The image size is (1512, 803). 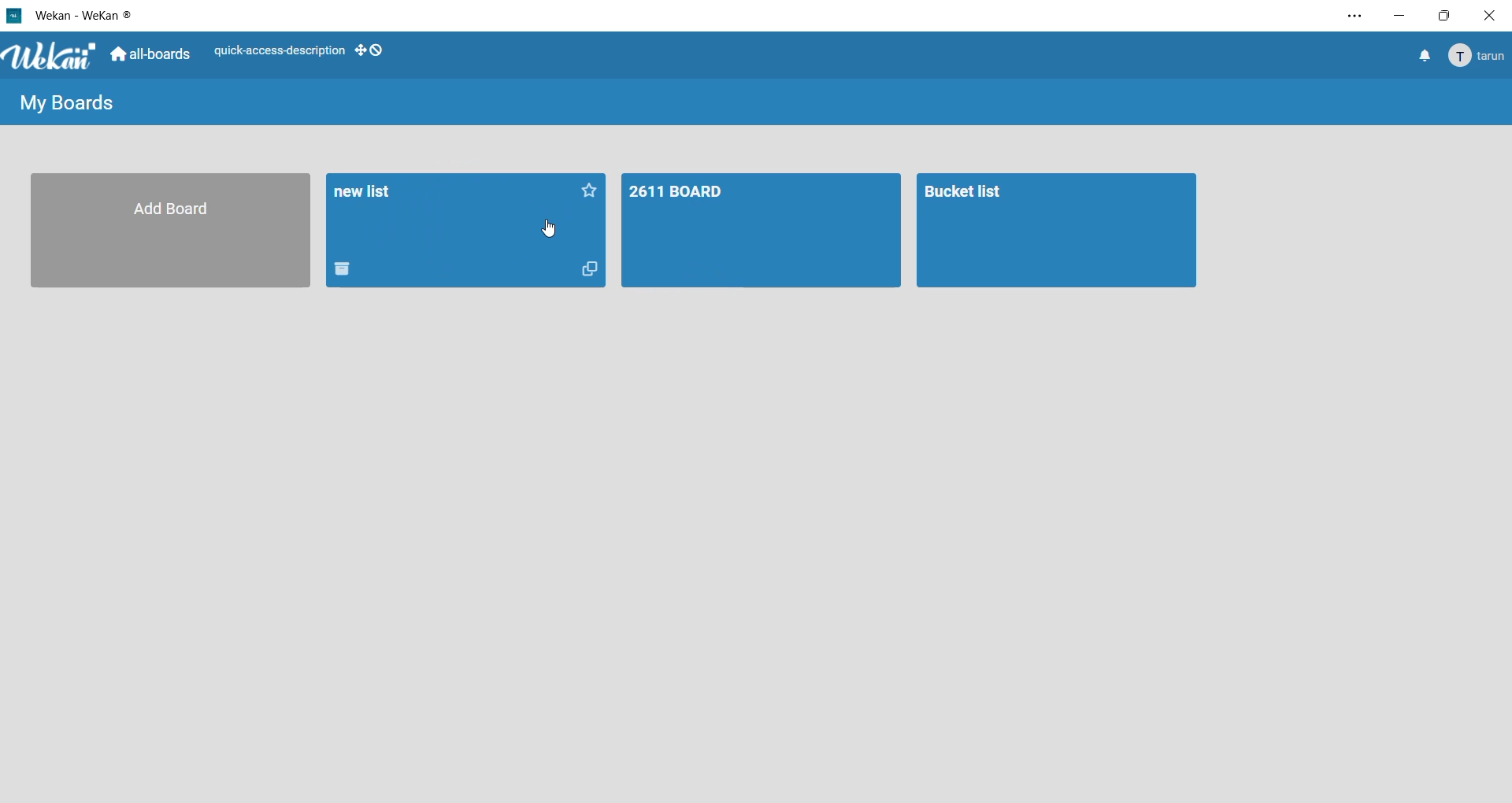 What do you see at coordinates (69, 105) in the screenshot?
I see `my boards` at bounding box center [69, 105].